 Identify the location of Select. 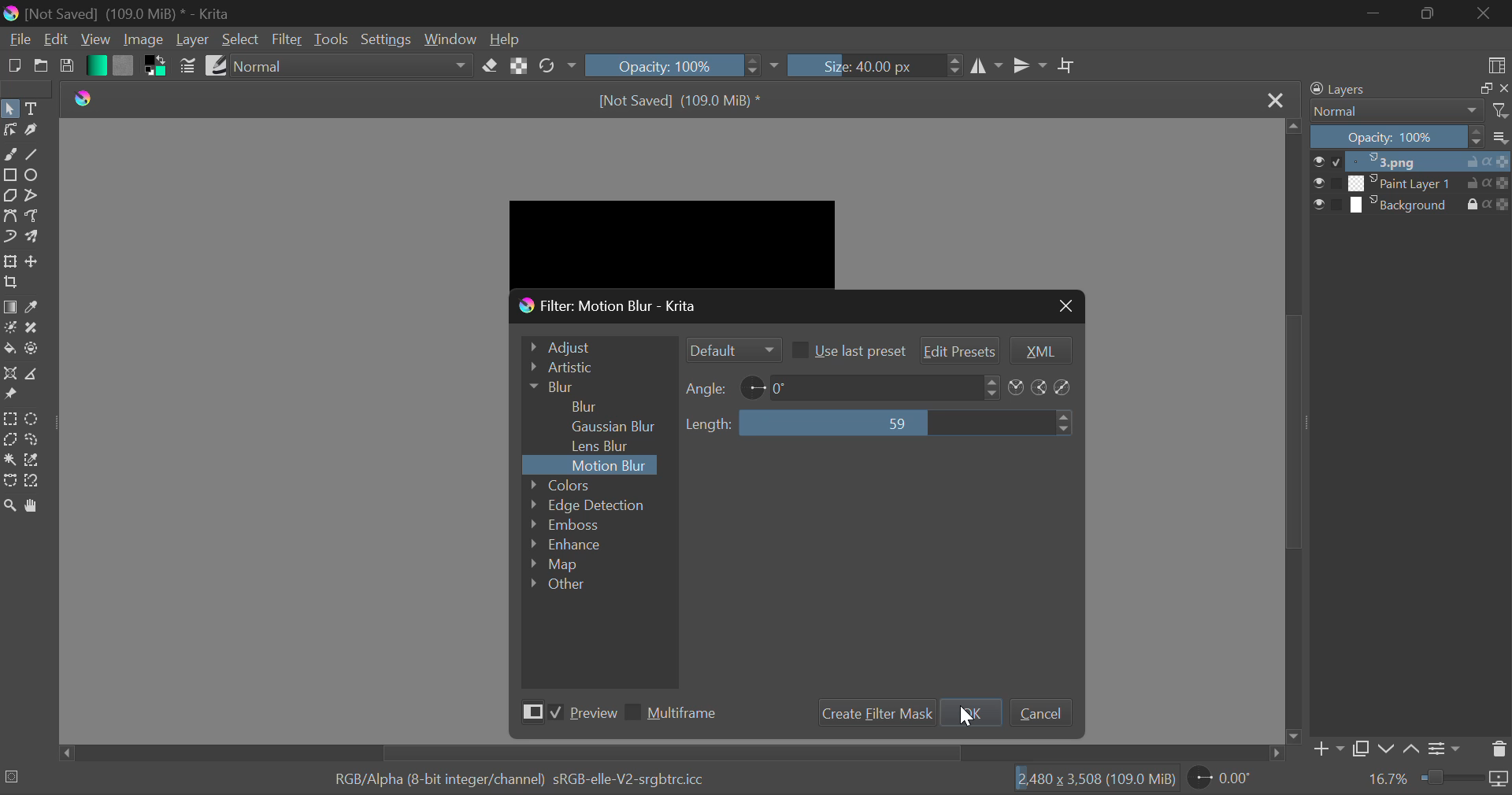
(241, 39).